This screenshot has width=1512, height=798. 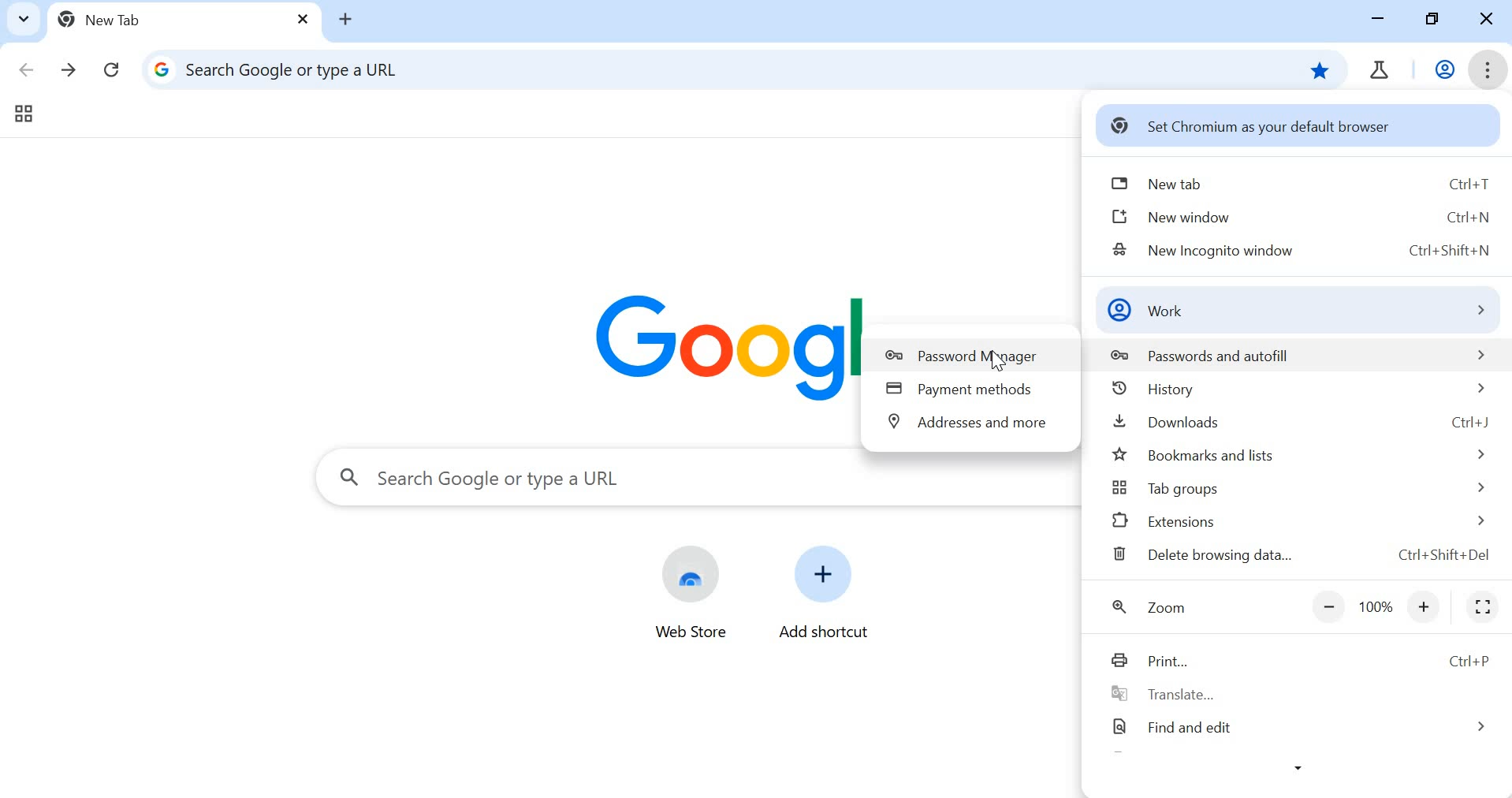 What do you see at coordinates (691, 480) in the screenshot?
I see `search tab` at bounding box center [691, 480].